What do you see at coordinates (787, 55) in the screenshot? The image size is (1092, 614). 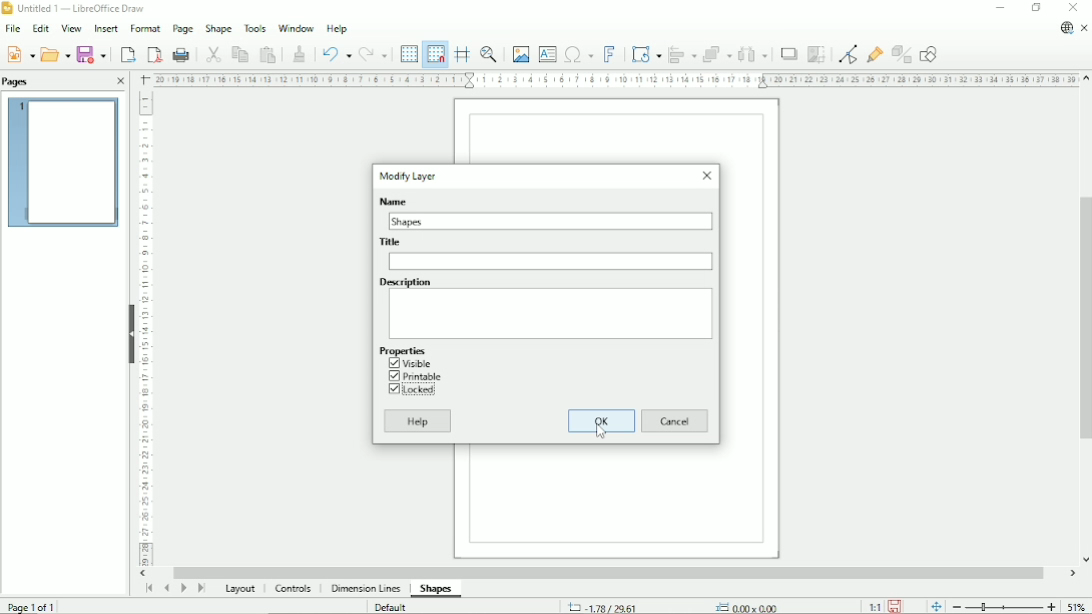 I see `Shadow` at bounding box center [787, 55].